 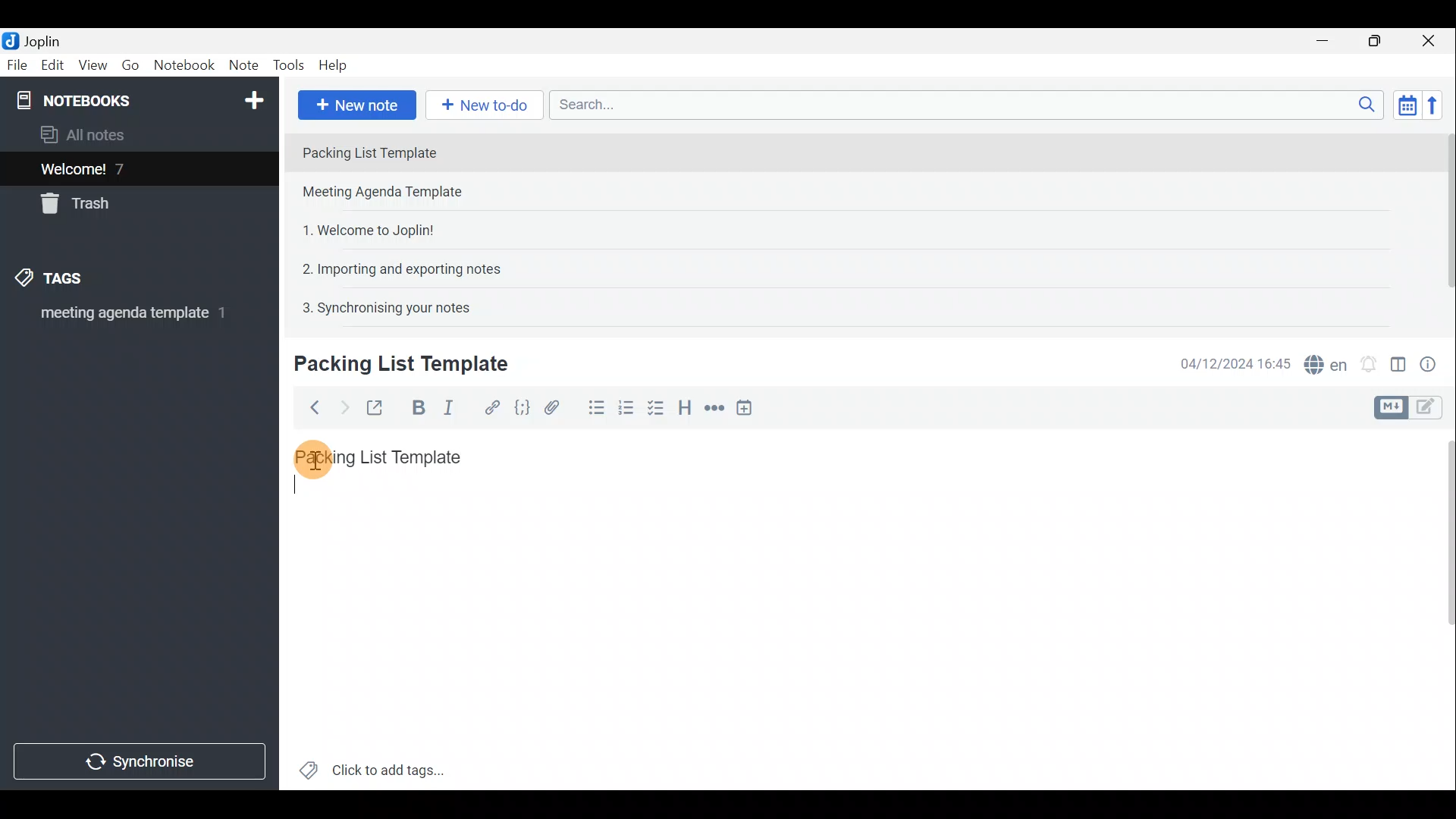 I want to click on Synchronise, so click(x=142, y=764).